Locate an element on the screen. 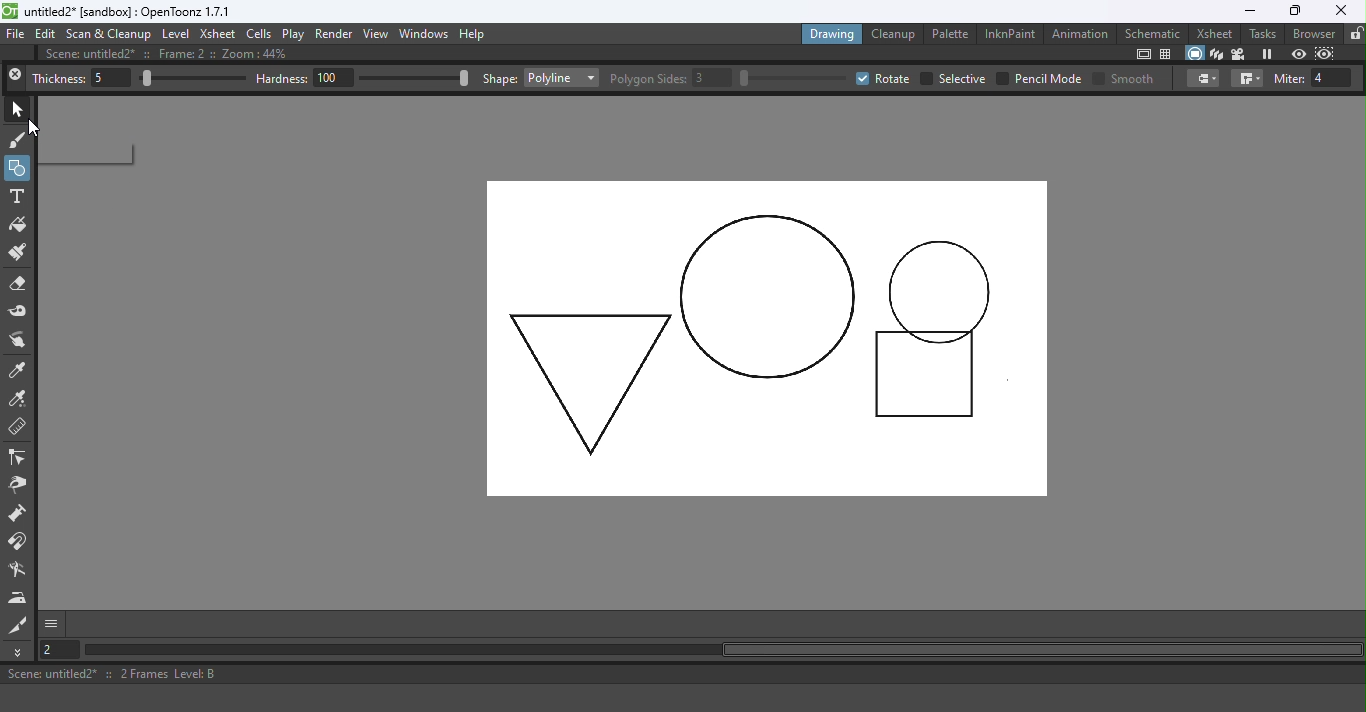 The width and height of the screenshot is (1366, 712). Camera view is located at coordinates (1238, 55).